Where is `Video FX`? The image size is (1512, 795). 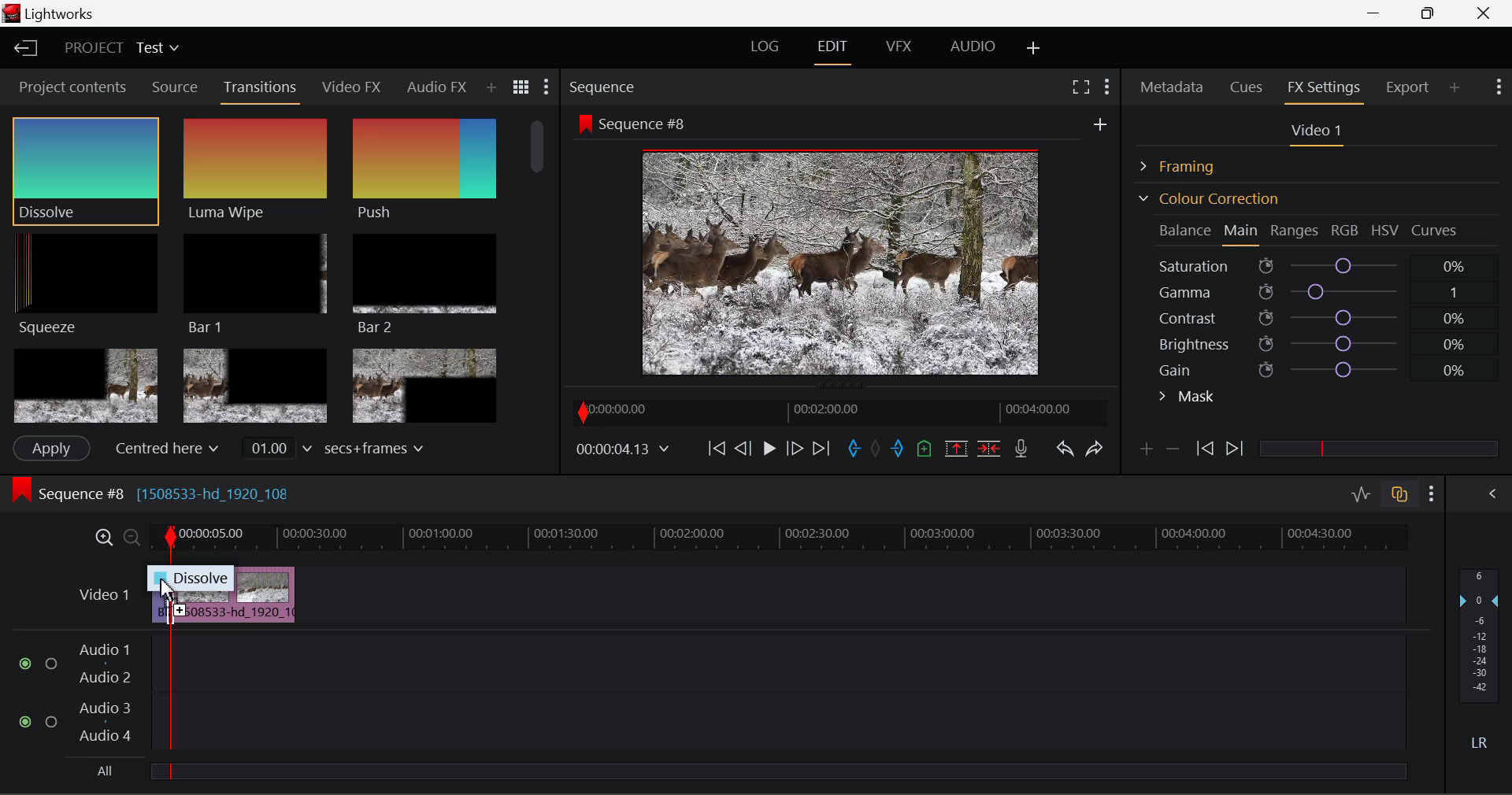 Video FX is located at coordinates (346, 87).